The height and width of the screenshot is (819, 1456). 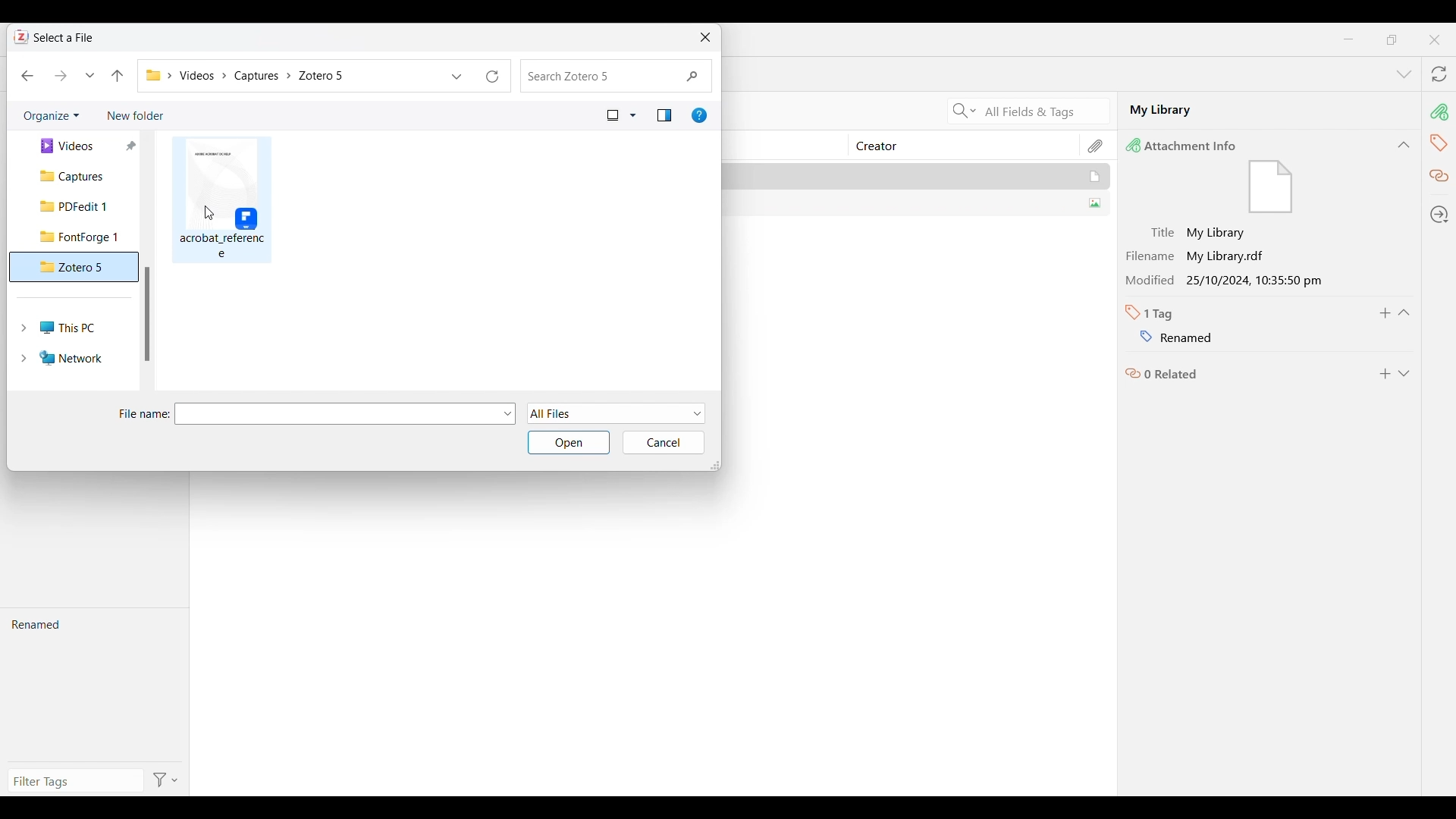 What do you see at coordinates (494, 76) in the screenshot?
I see `Refresh` at bounding box center [494, 76].